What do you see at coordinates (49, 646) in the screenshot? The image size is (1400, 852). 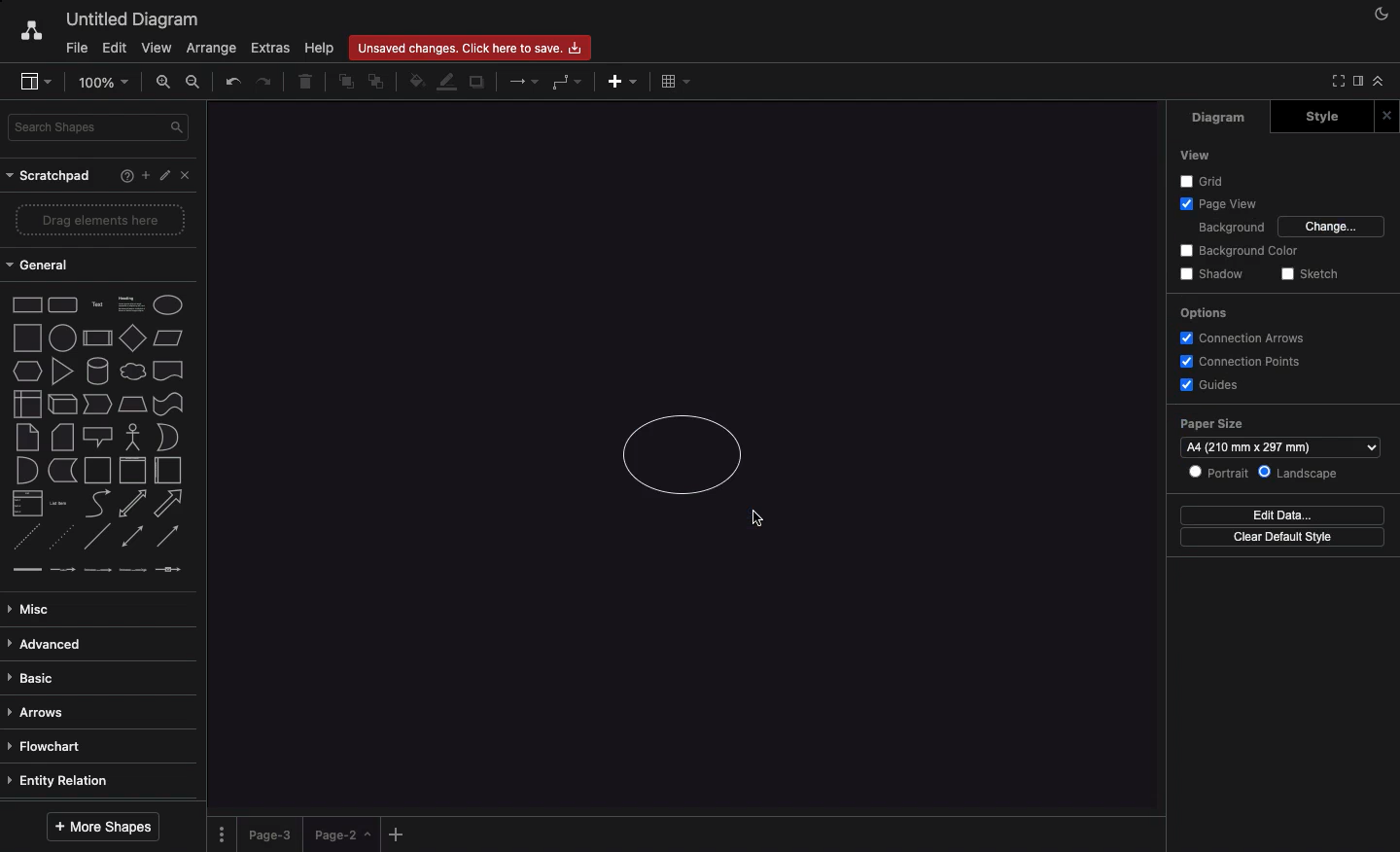 I see `Advanced` at bounding box center [49, 646].